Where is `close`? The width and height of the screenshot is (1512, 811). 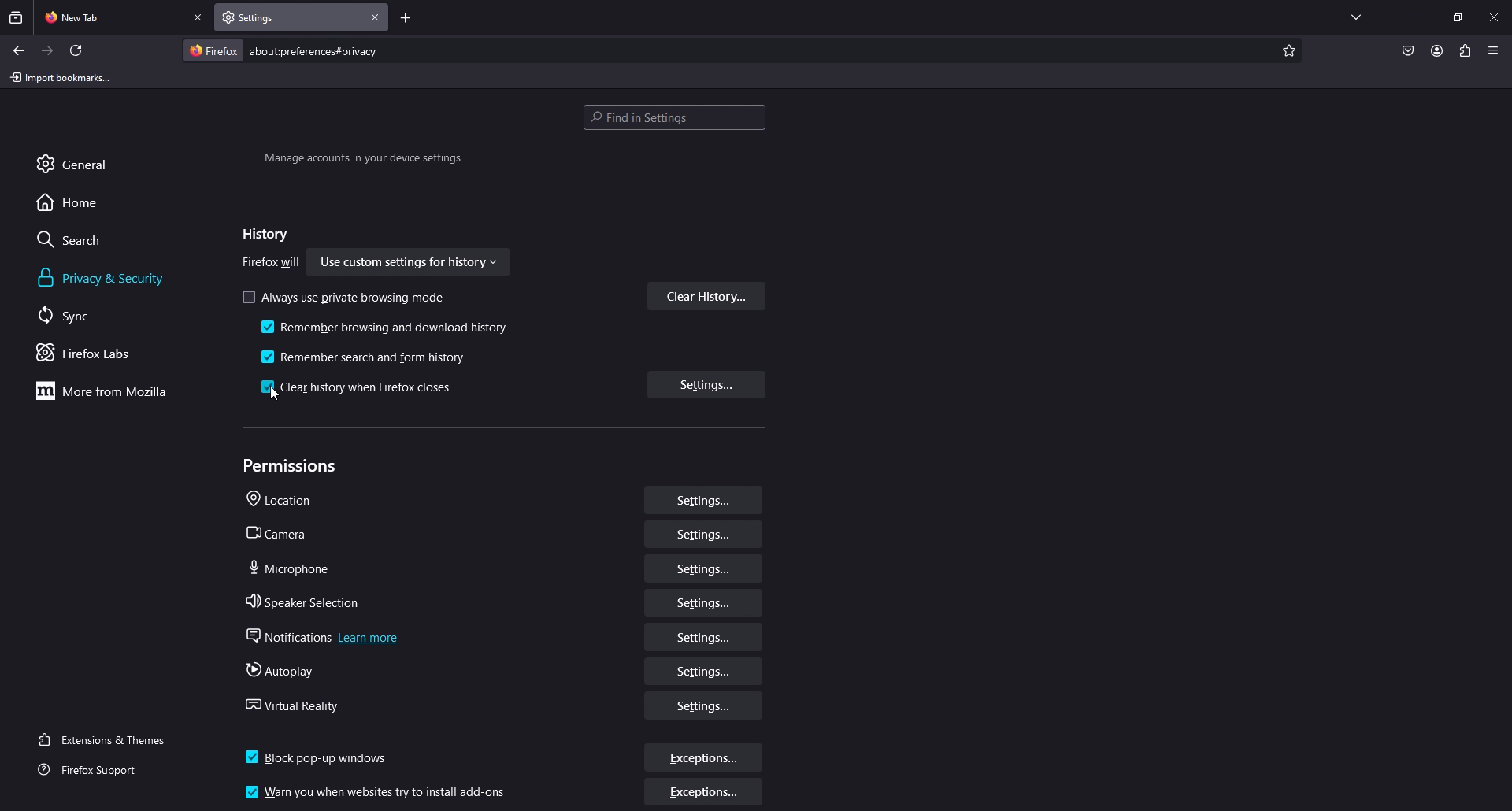 close is located at coordinates (1495, 16).